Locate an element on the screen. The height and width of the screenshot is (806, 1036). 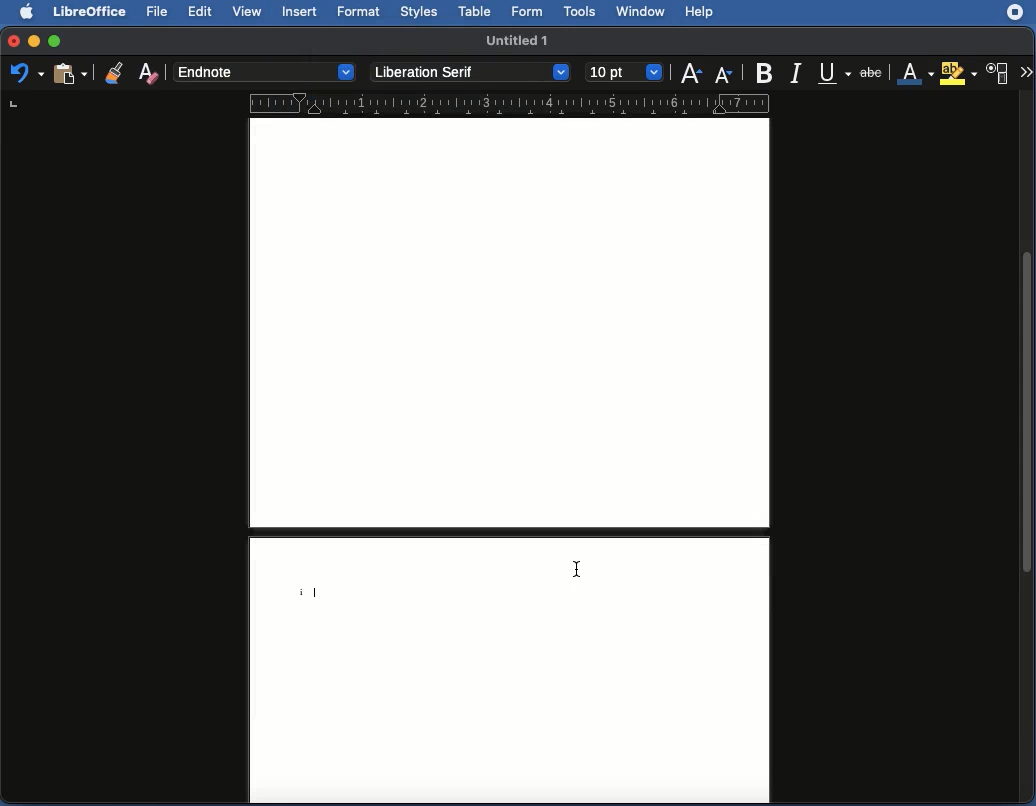
Size is located at coordinates (626, 72).